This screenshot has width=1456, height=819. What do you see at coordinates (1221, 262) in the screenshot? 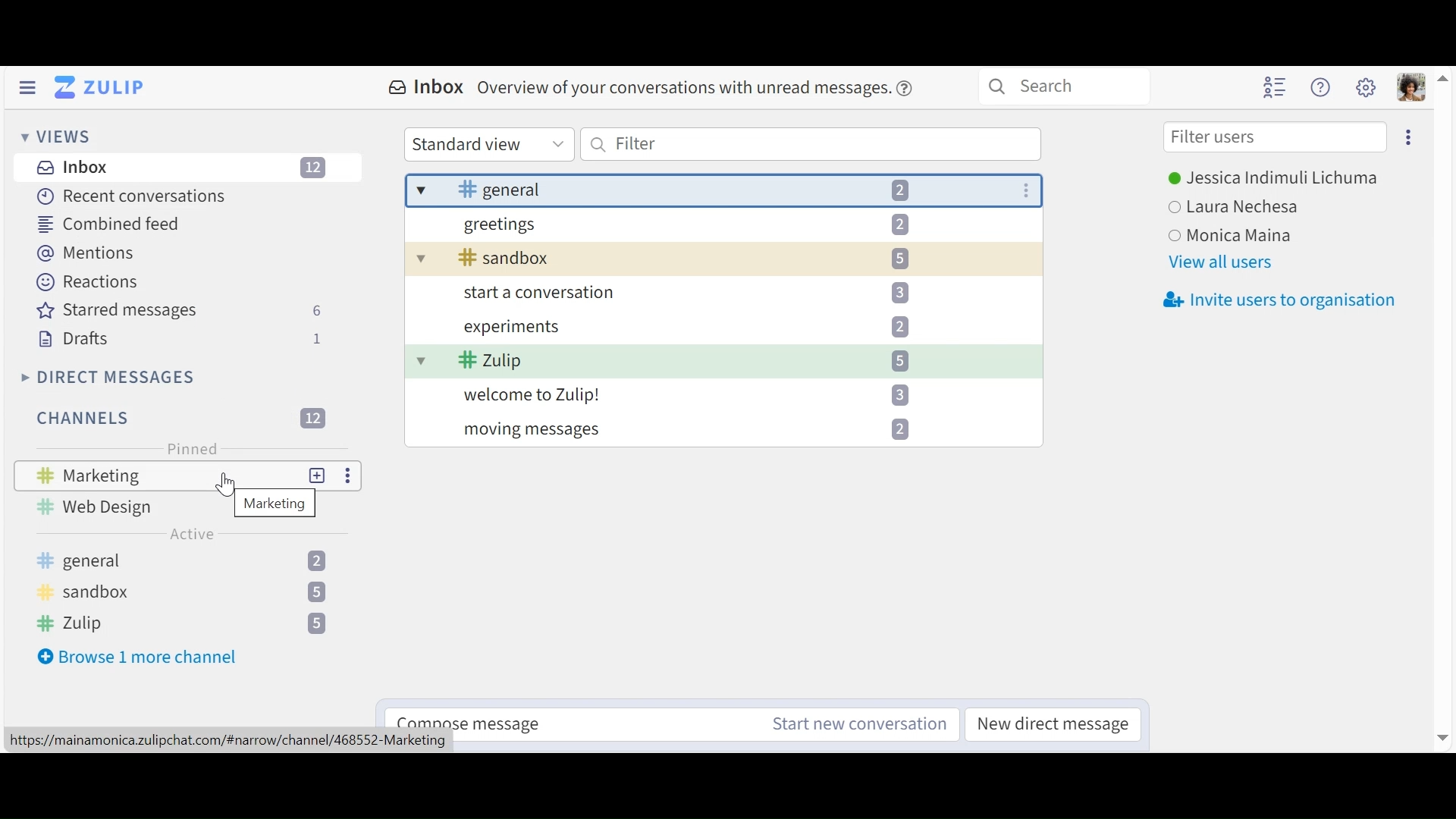
I see `View all users` at bounding box center [1221, 262].